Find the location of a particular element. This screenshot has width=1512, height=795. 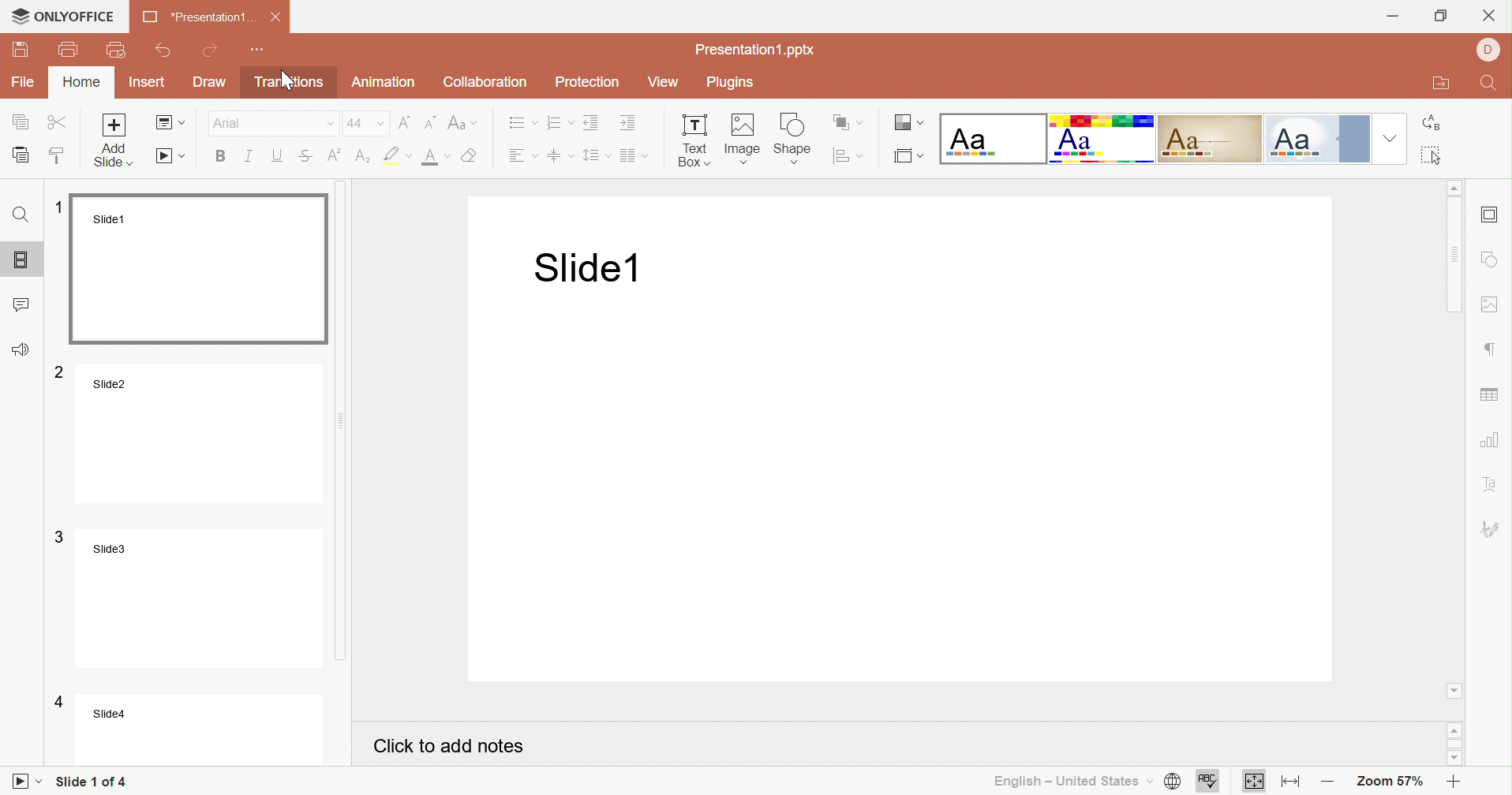

Scroll down is located at coordinates (1458, 761).